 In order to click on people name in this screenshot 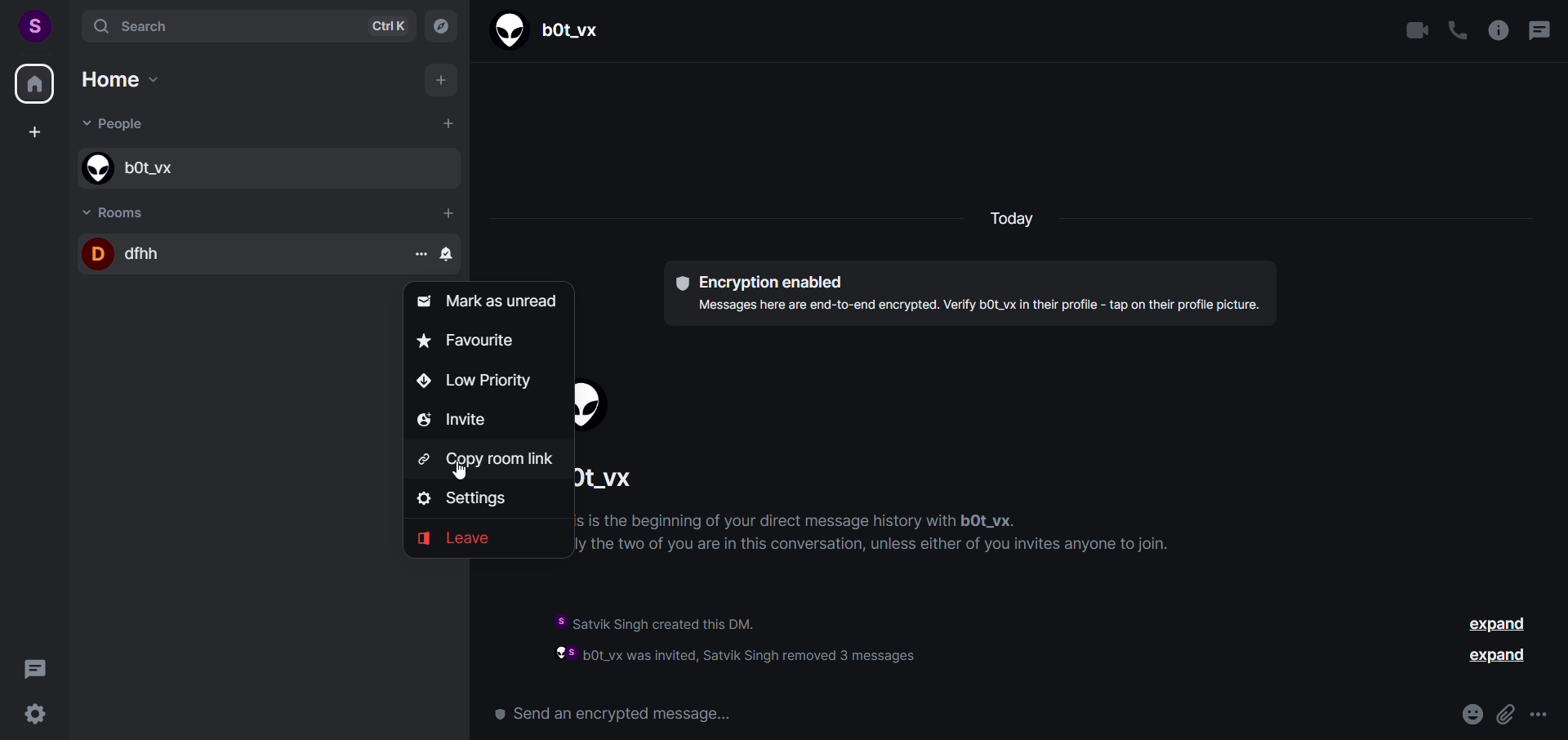, I will do `click(264, 170)`.